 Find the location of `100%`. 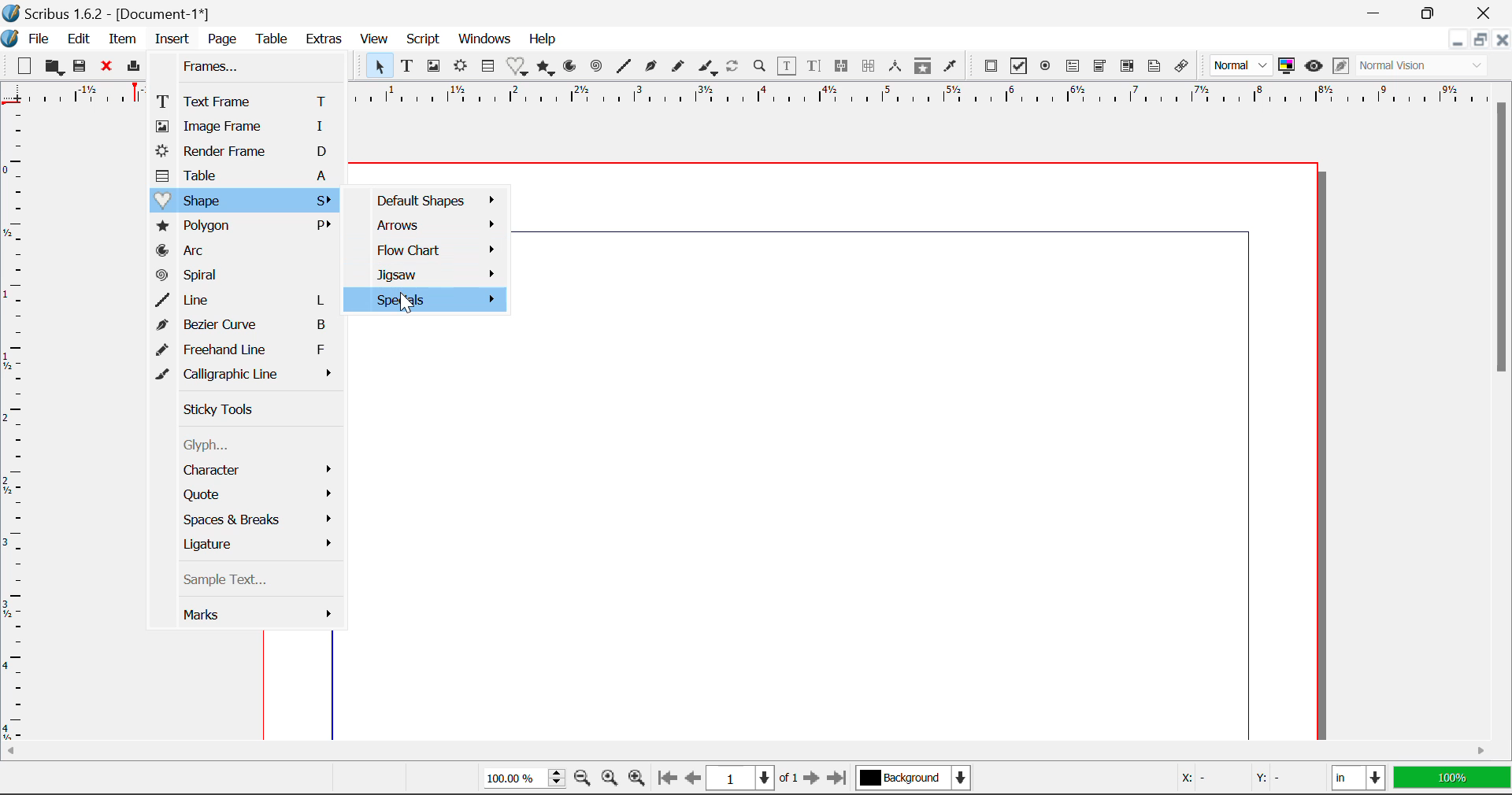

100% is located at coordinates (520, 780).